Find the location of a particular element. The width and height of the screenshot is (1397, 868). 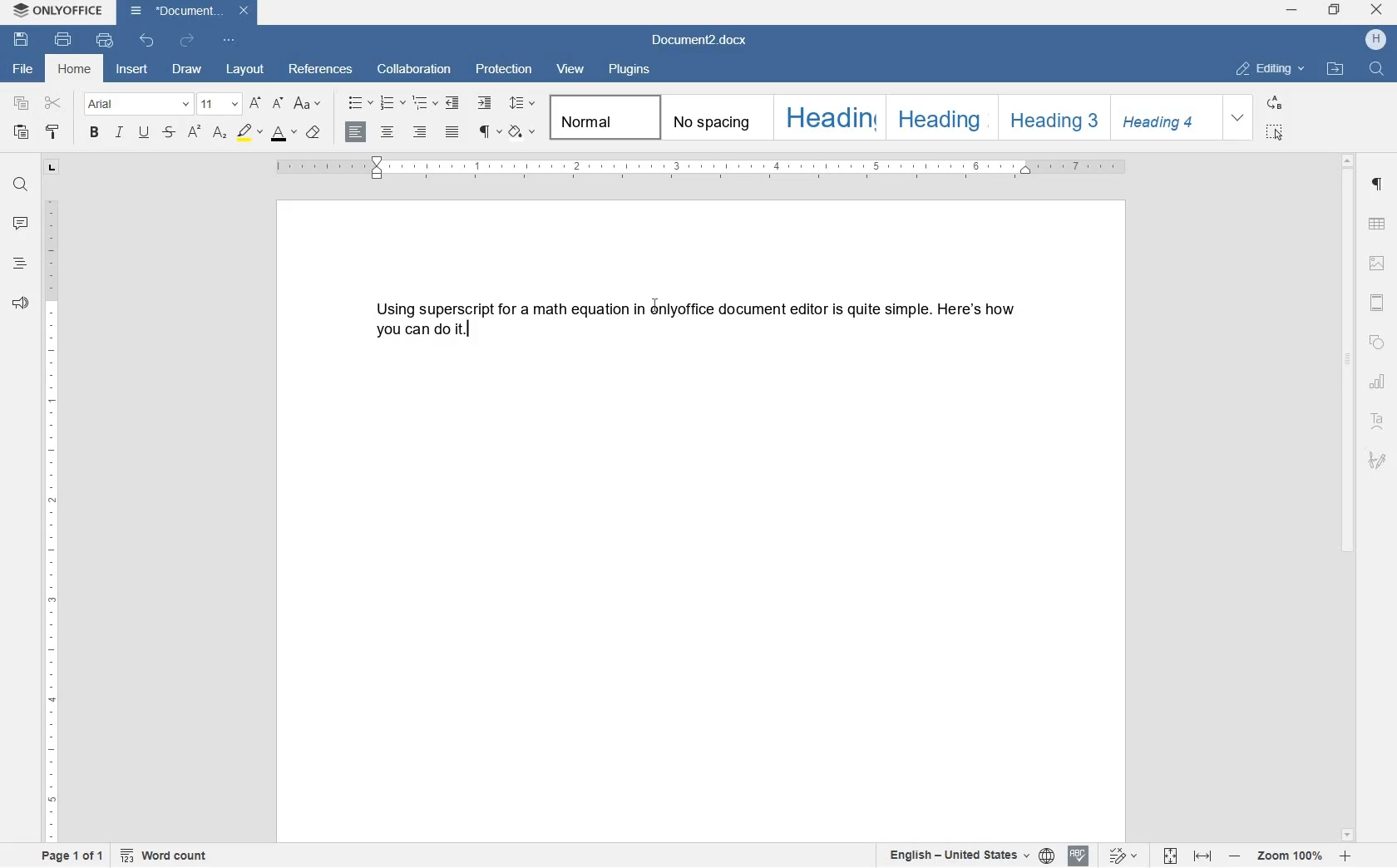

SELECT ALL is located at coordinates (1275, 134).